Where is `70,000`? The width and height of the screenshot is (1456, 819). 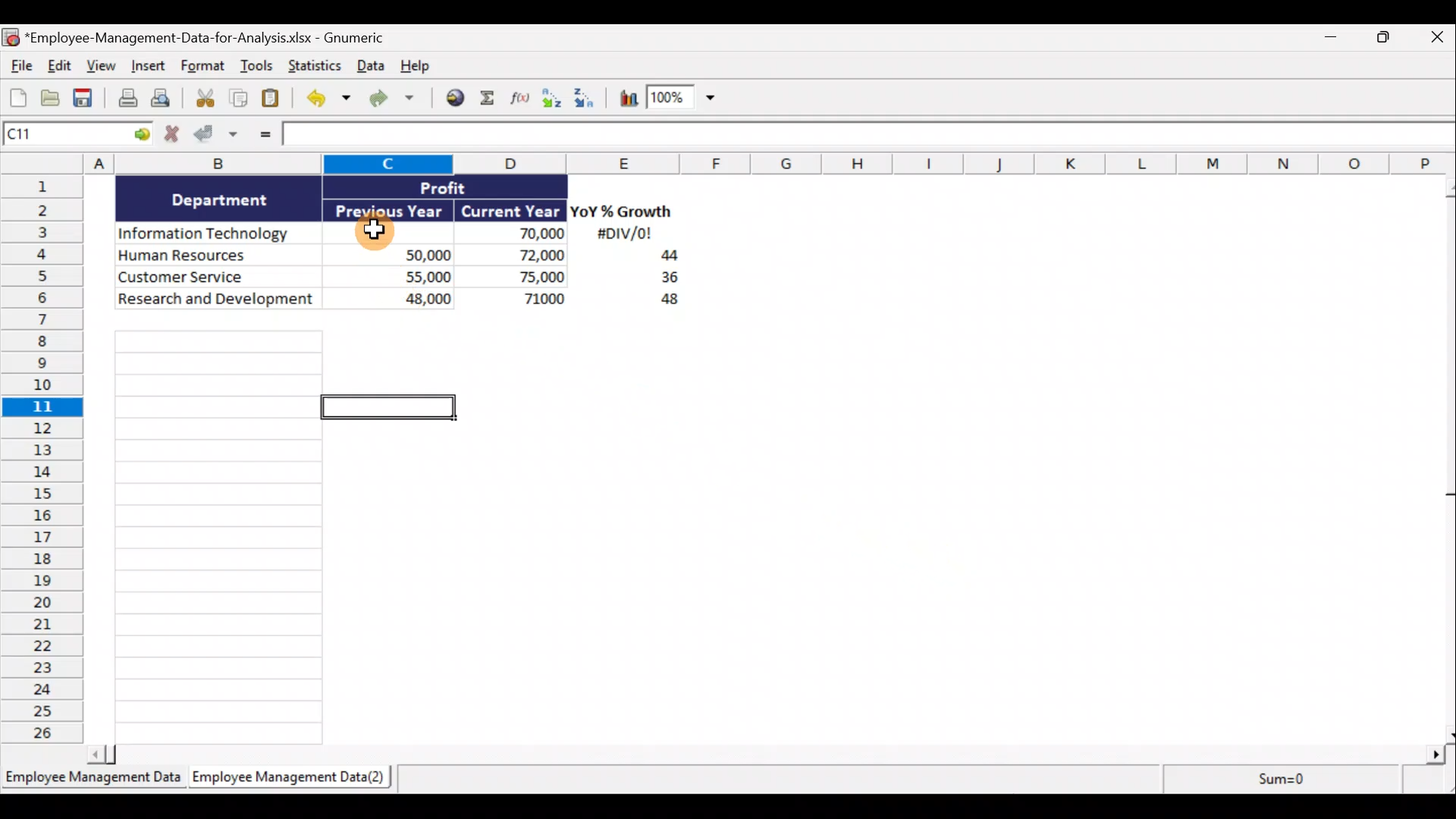 70,000 is located at coordinates (519, 234).